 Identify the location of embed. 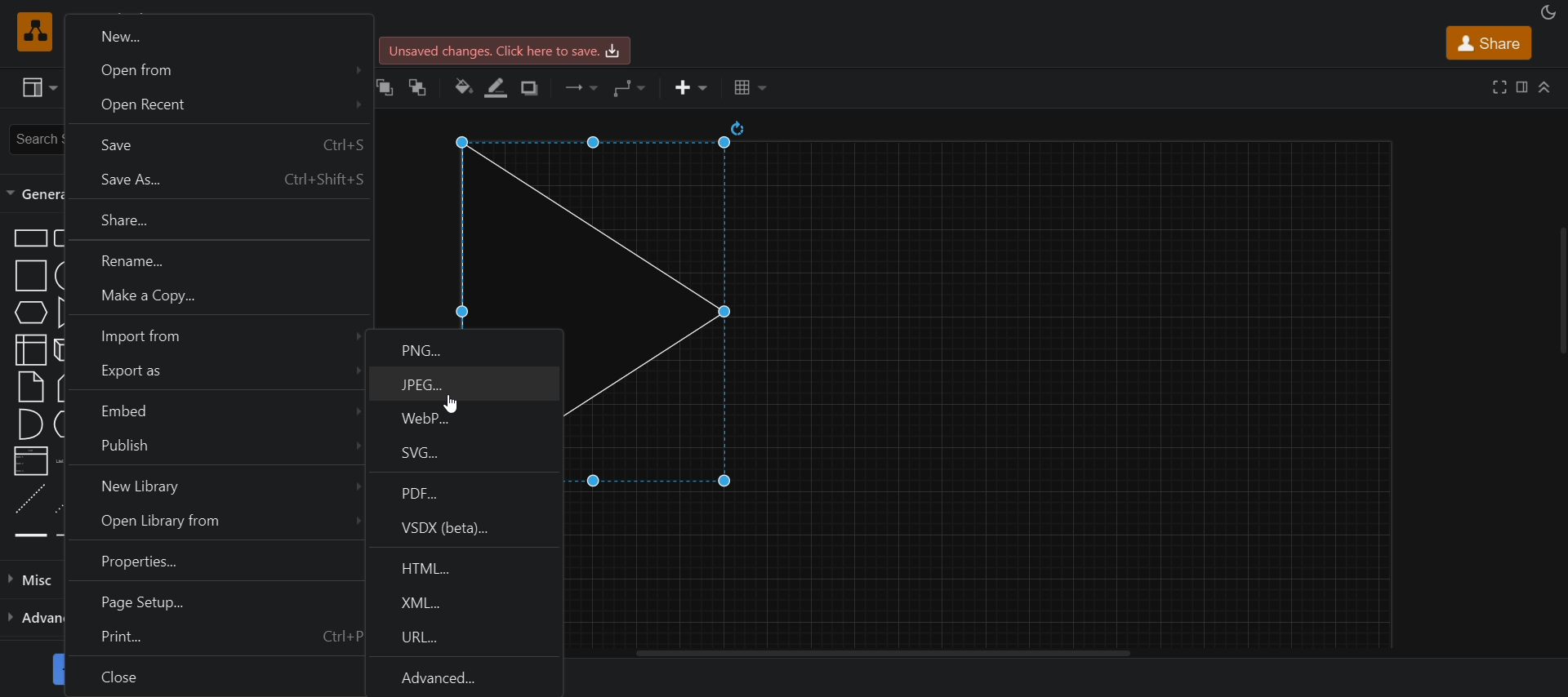
(212, 411).